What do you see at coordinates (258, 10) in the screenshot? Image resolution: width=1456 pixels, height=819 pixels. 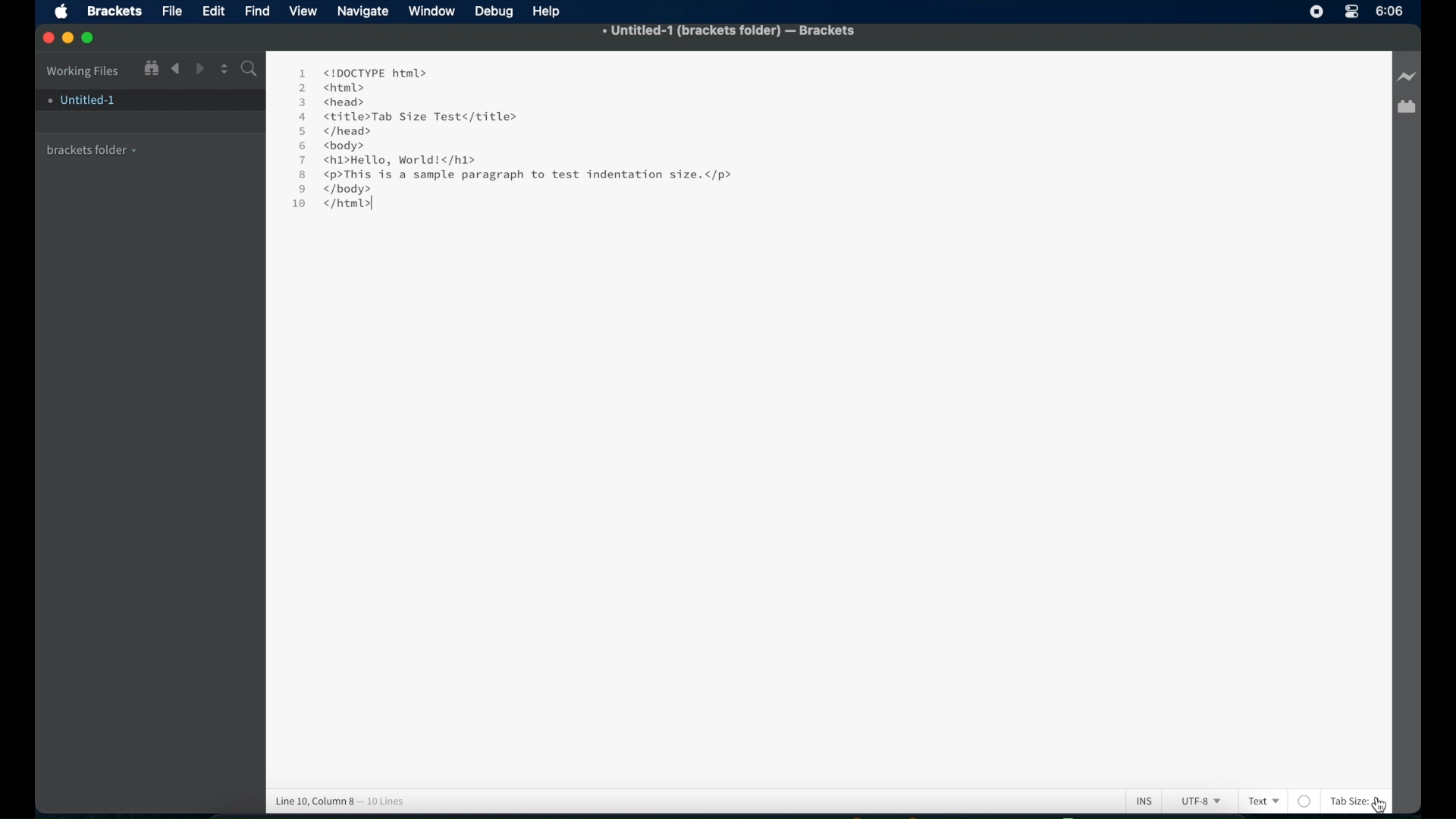 I see `Find` at bounding box center [258, 10].